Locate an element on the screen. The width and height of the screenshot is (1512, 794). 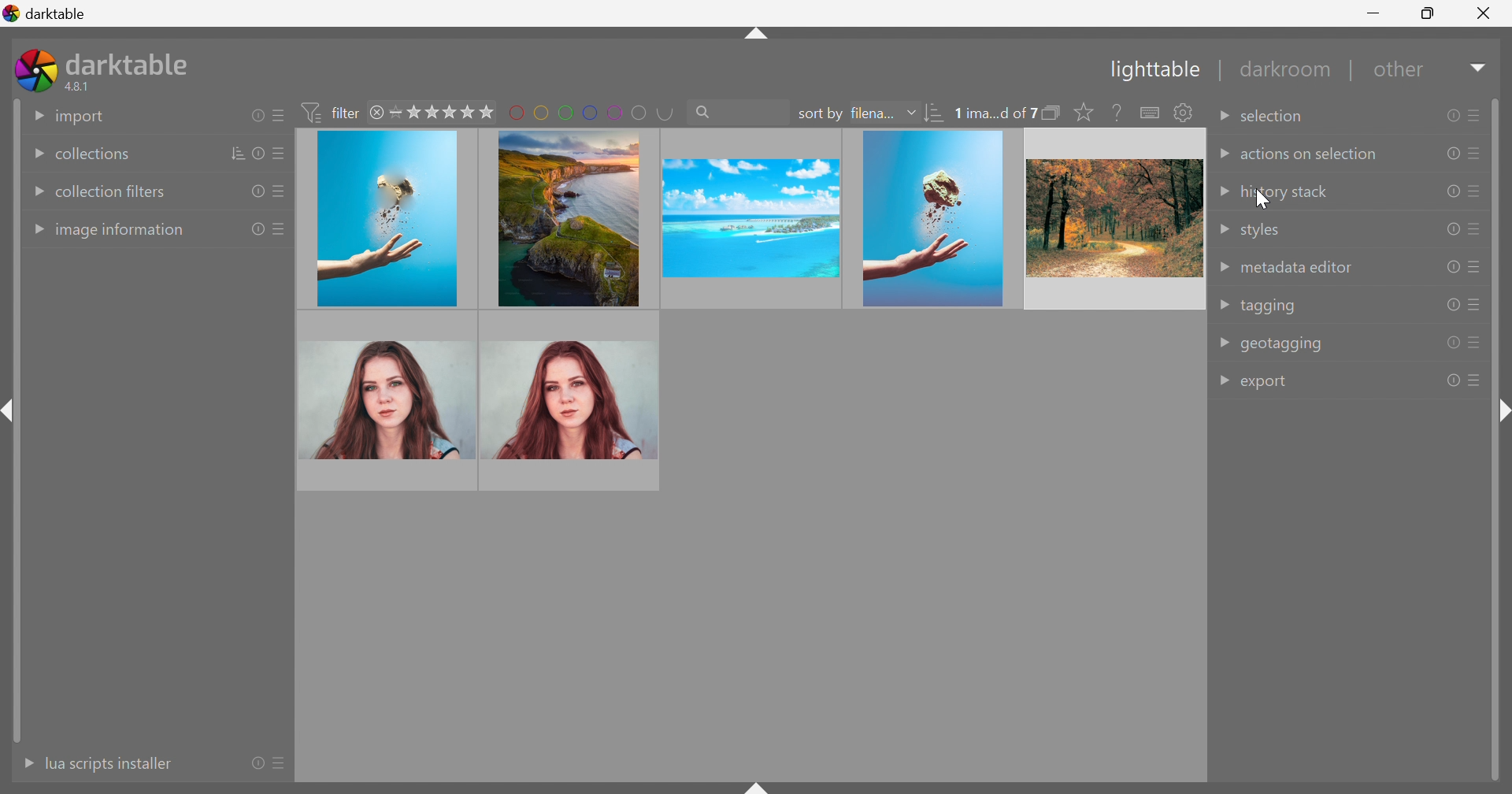
tagging is located at coordinates (1275, 309).